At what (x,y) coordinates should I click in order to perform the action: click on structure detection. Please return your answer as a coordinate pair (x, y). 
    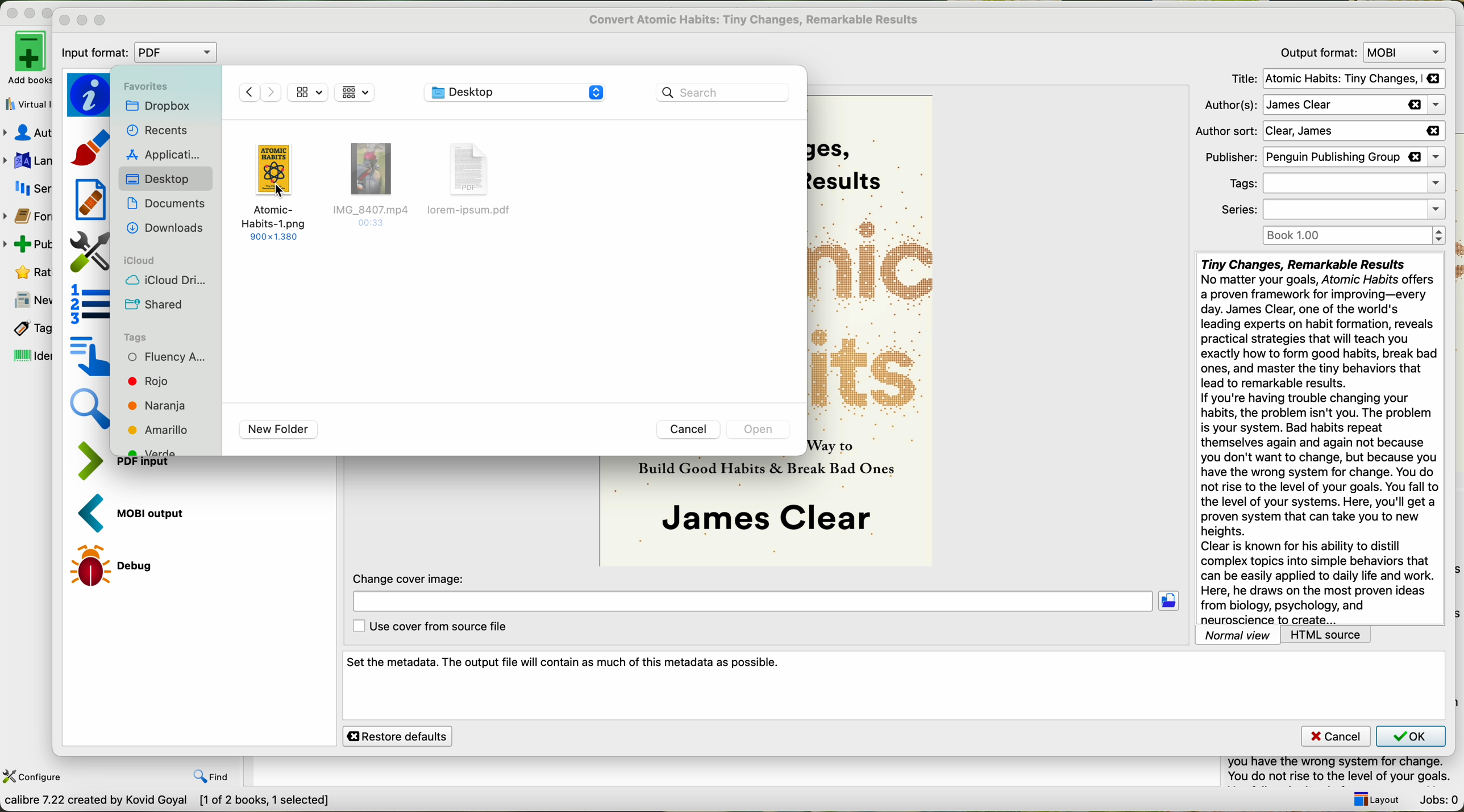
    Looking at the image, I should click on (90, 303).